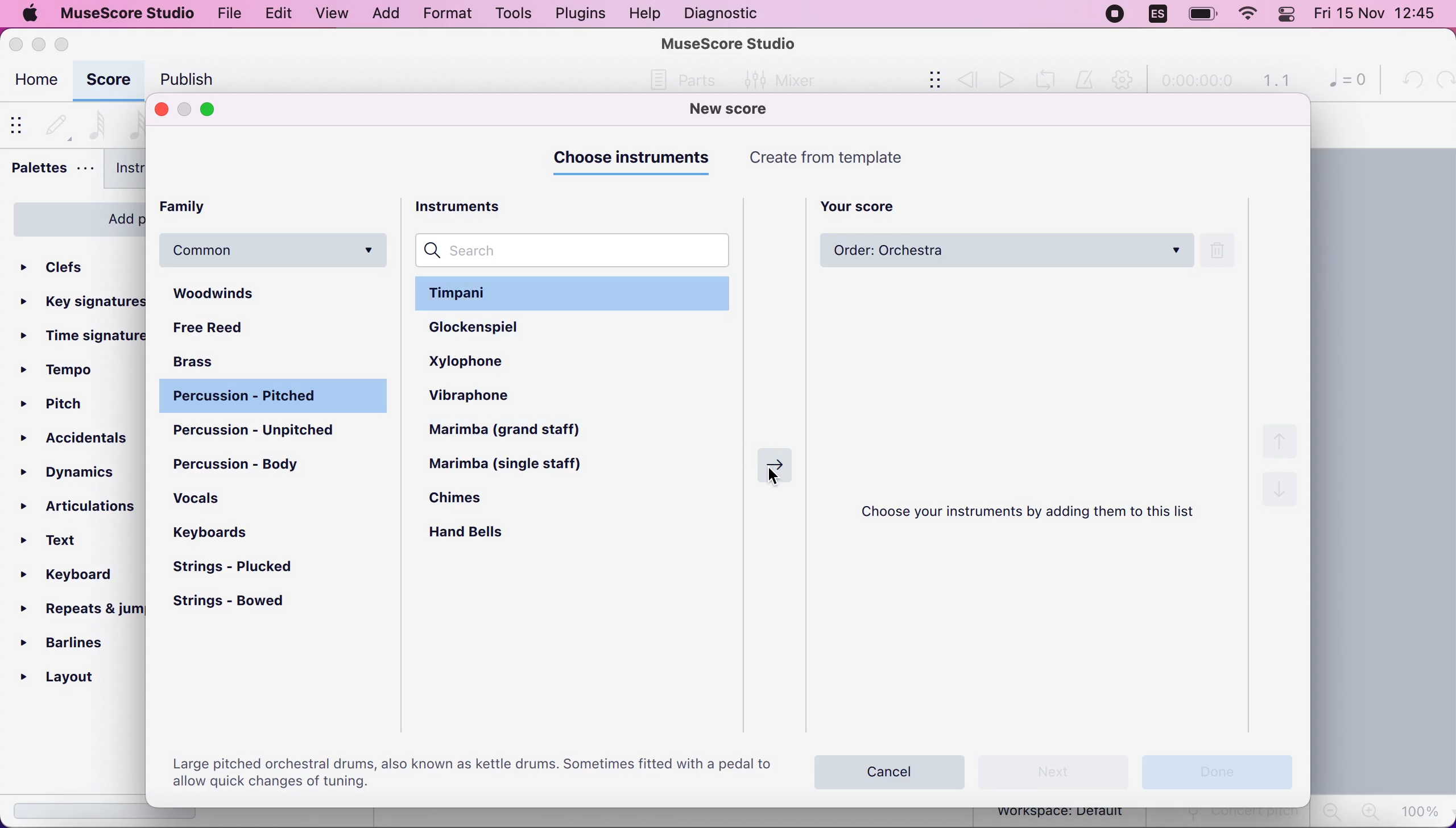 Image resolution: width=1456 pixels, height=828 pixels. I want to click on Mixer, so click(776, 78).